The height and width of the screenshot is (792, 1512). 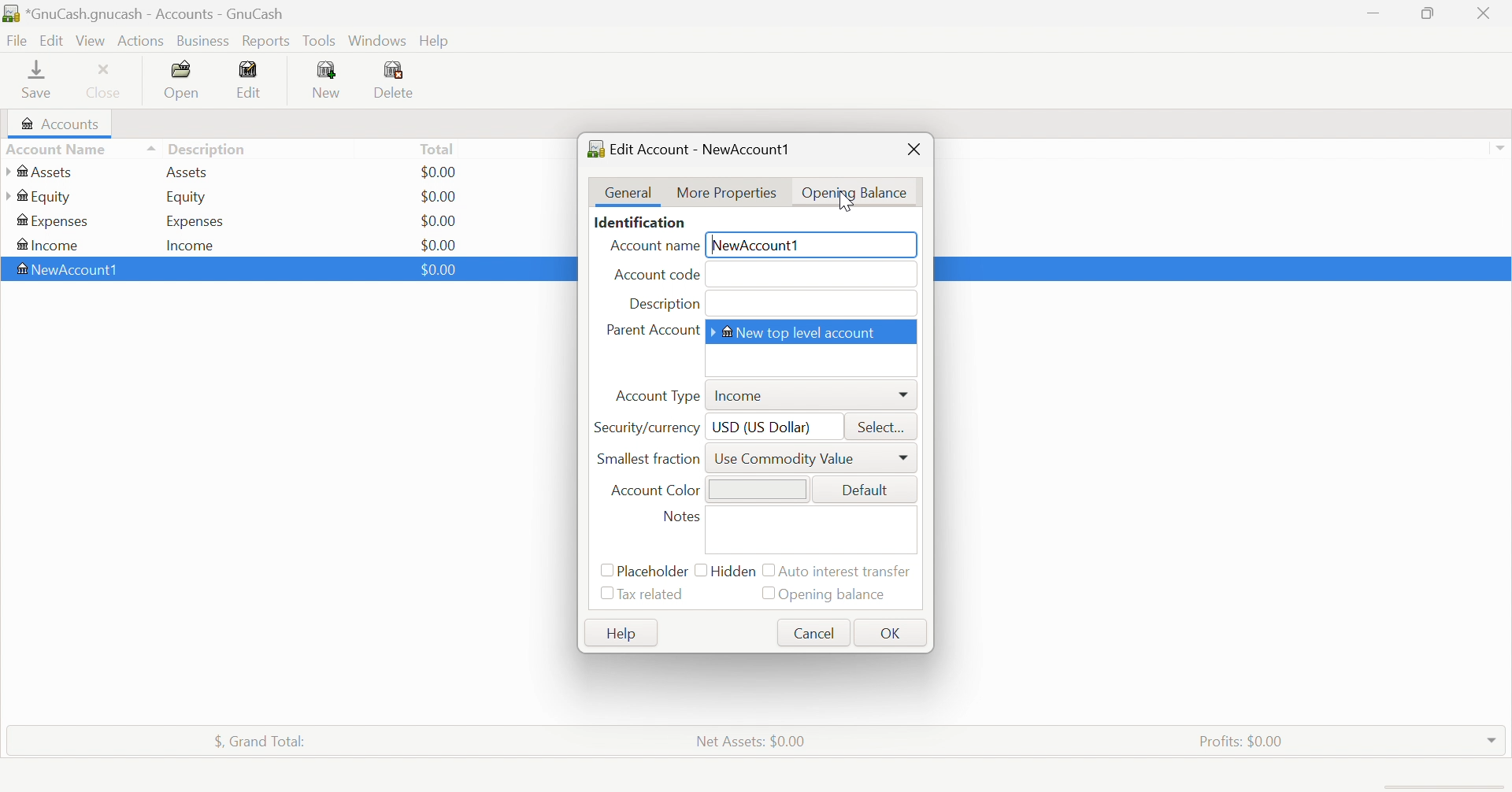 What do you see at coordinates (328, 80) in the screenshot?
I see `New` at bounding box center [328, 80].